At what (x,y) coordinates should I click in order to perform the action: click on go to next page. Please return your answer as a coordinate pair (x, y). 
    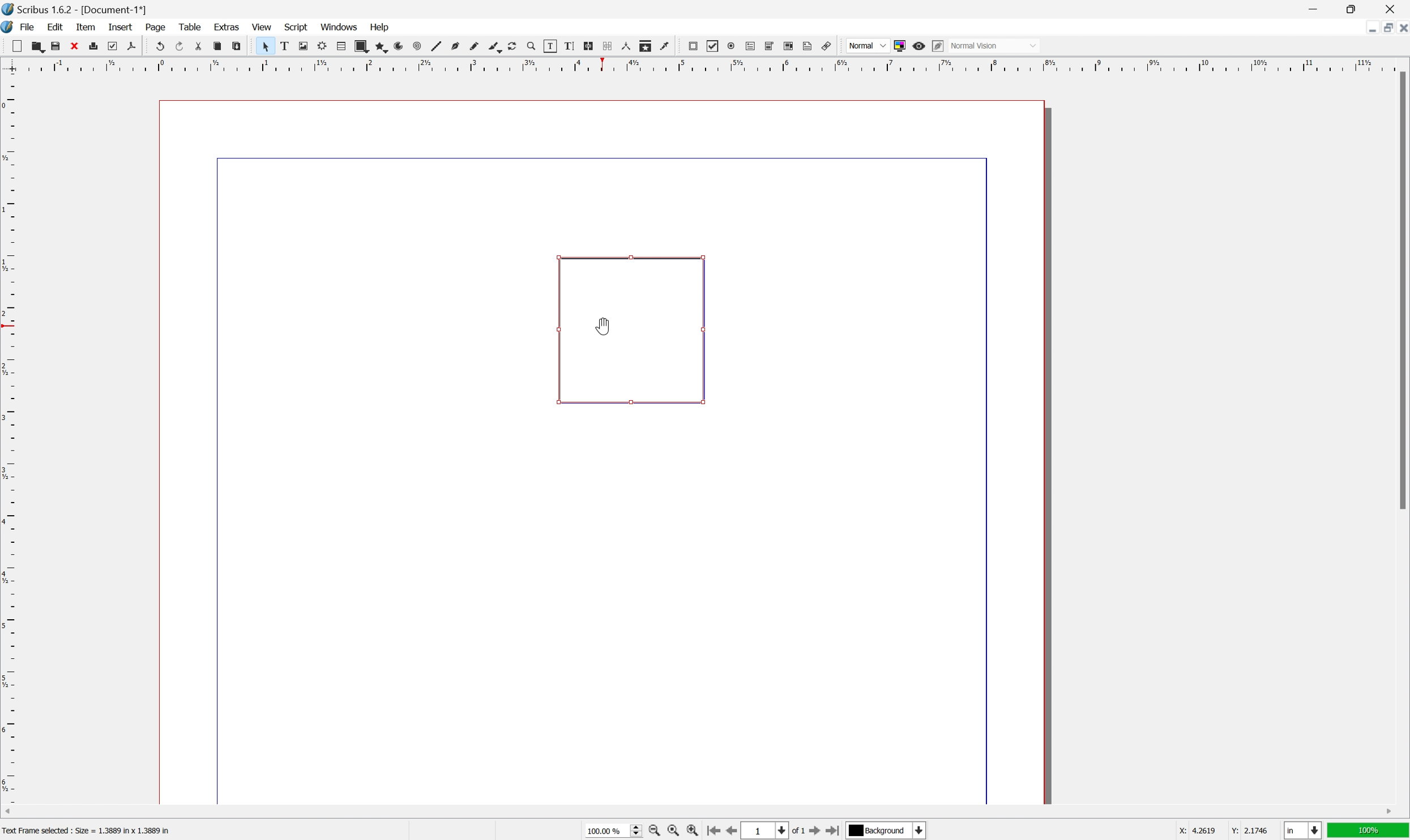
    Looking at the image, I should click on (817, 832).